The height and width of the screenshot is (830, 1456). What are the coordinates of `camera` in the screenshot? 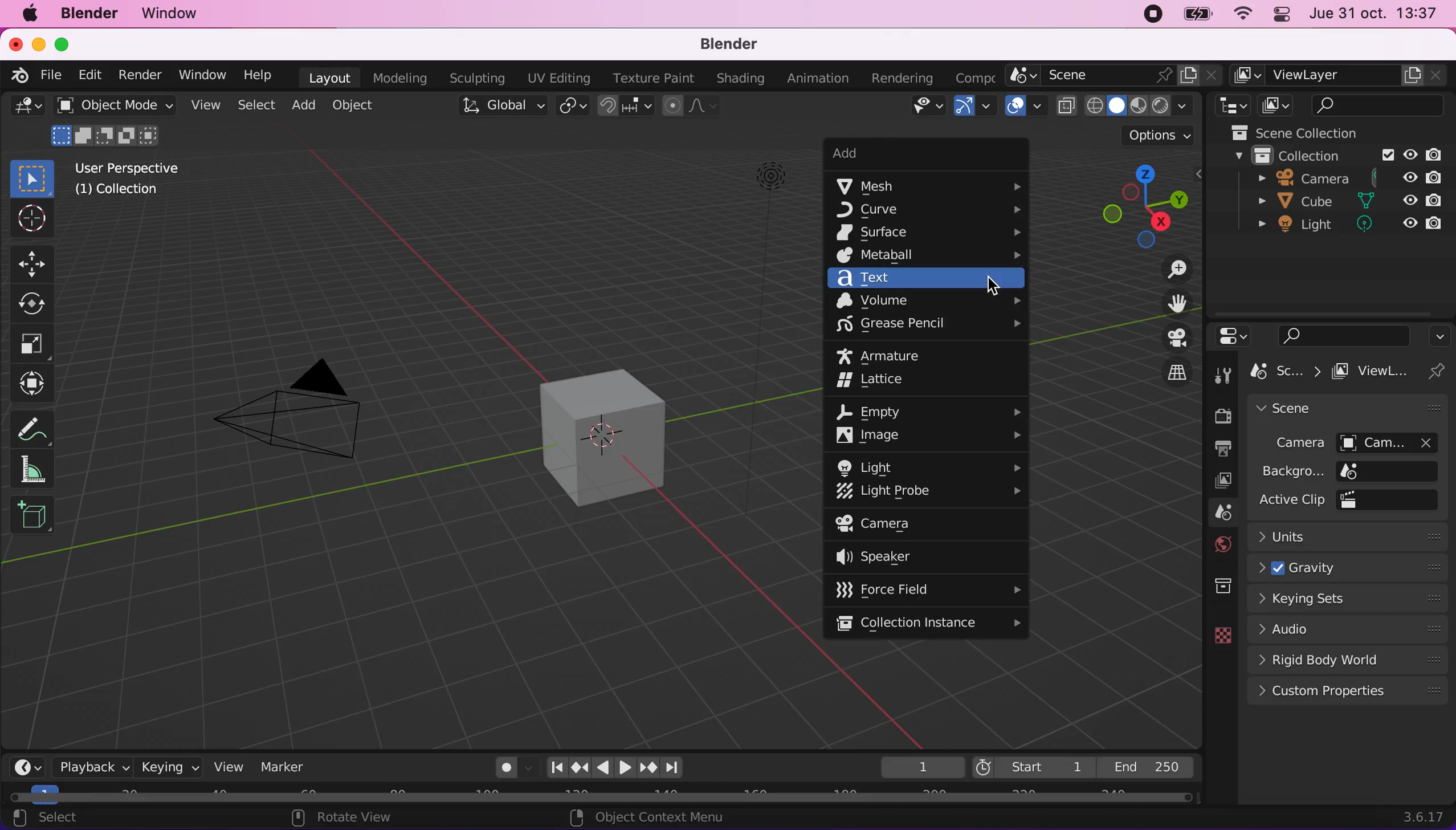 It's located at (299, 405).